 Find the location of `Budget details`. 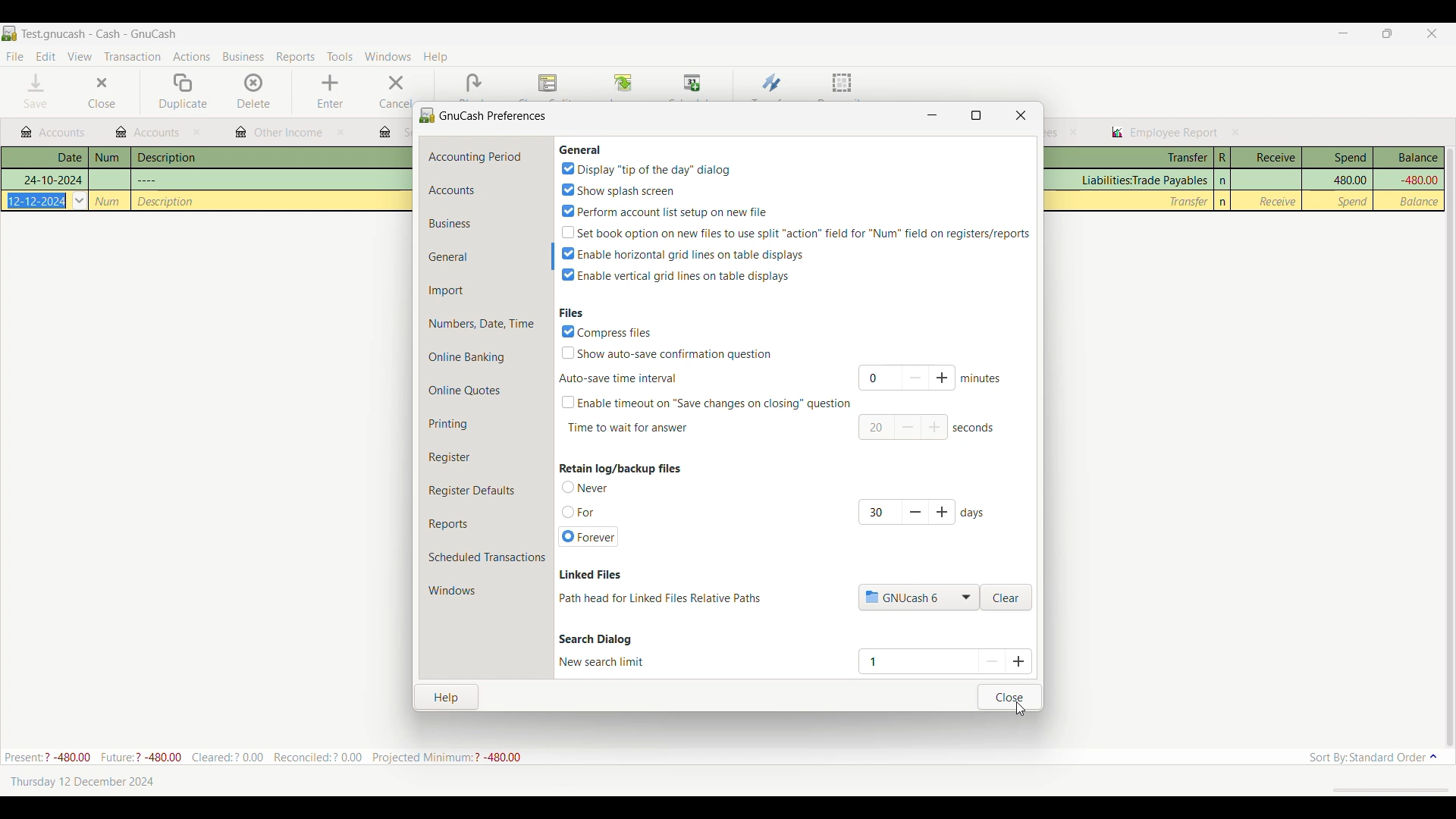

Budget details is located at coordinates (262, 757).